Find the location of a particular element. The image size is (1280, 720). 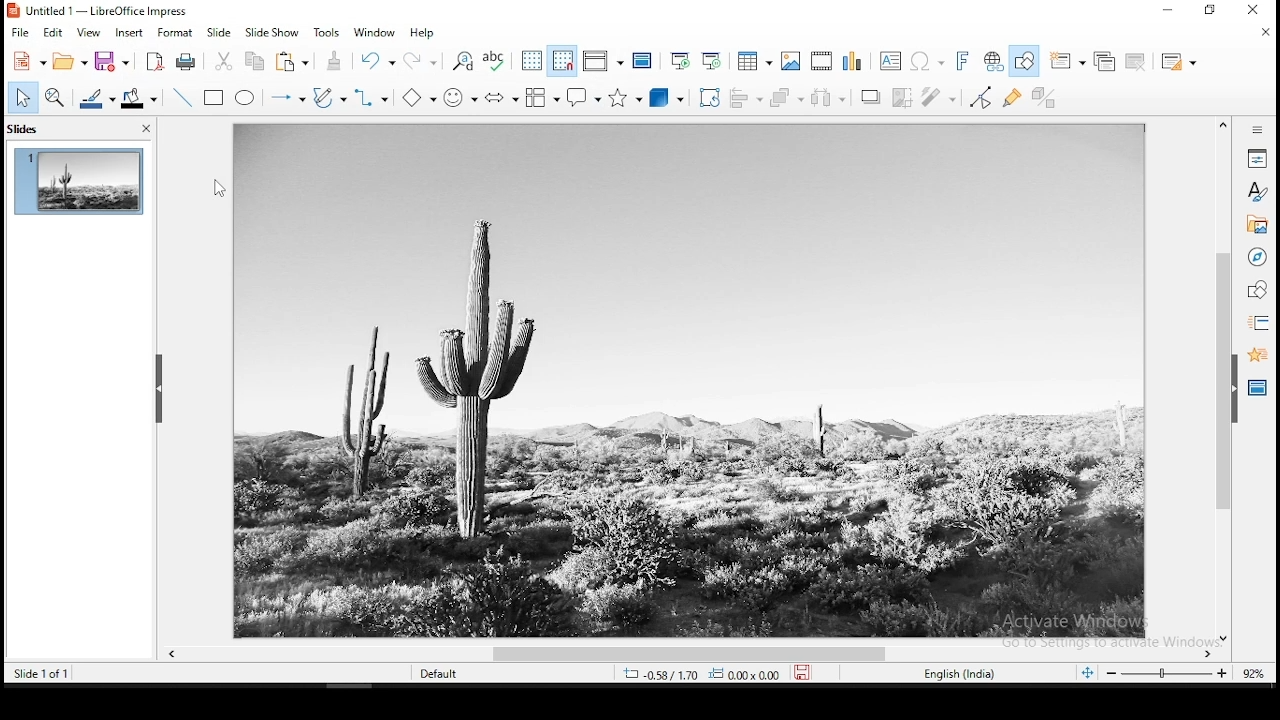

sidebar settings is located at coordinates (1260, 129).